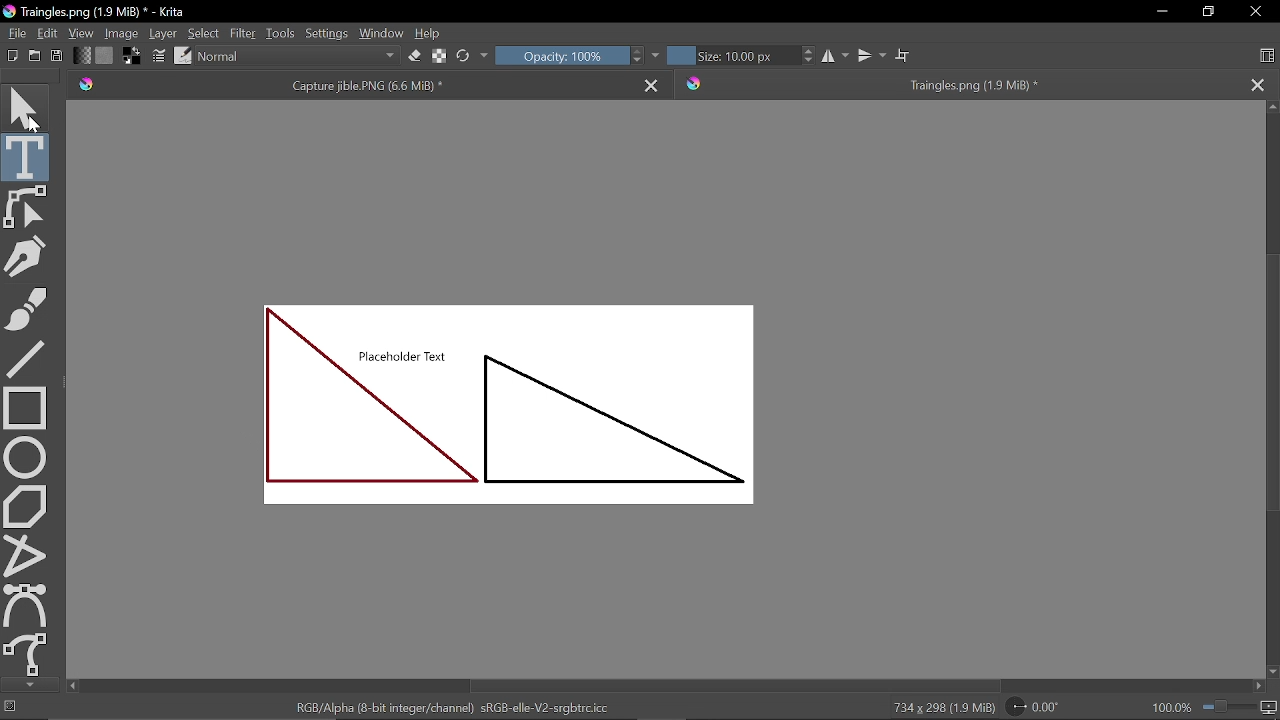 This screenshot has height=720, width=1280. What do you see at coordinates (874, 53) in the screenshot?
I see `Vertical mirror` at bounding box center [874, 53].